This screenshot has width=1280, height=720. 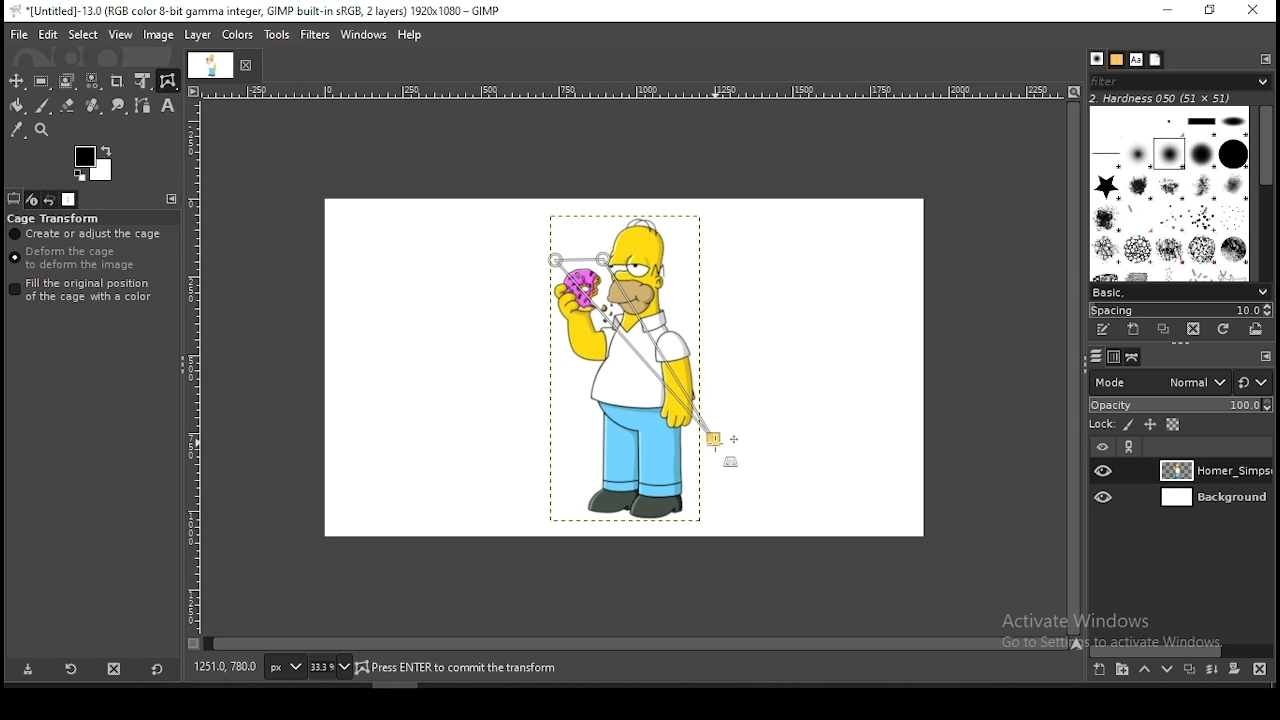 I want to click on windows, so click(x=364, y=33).